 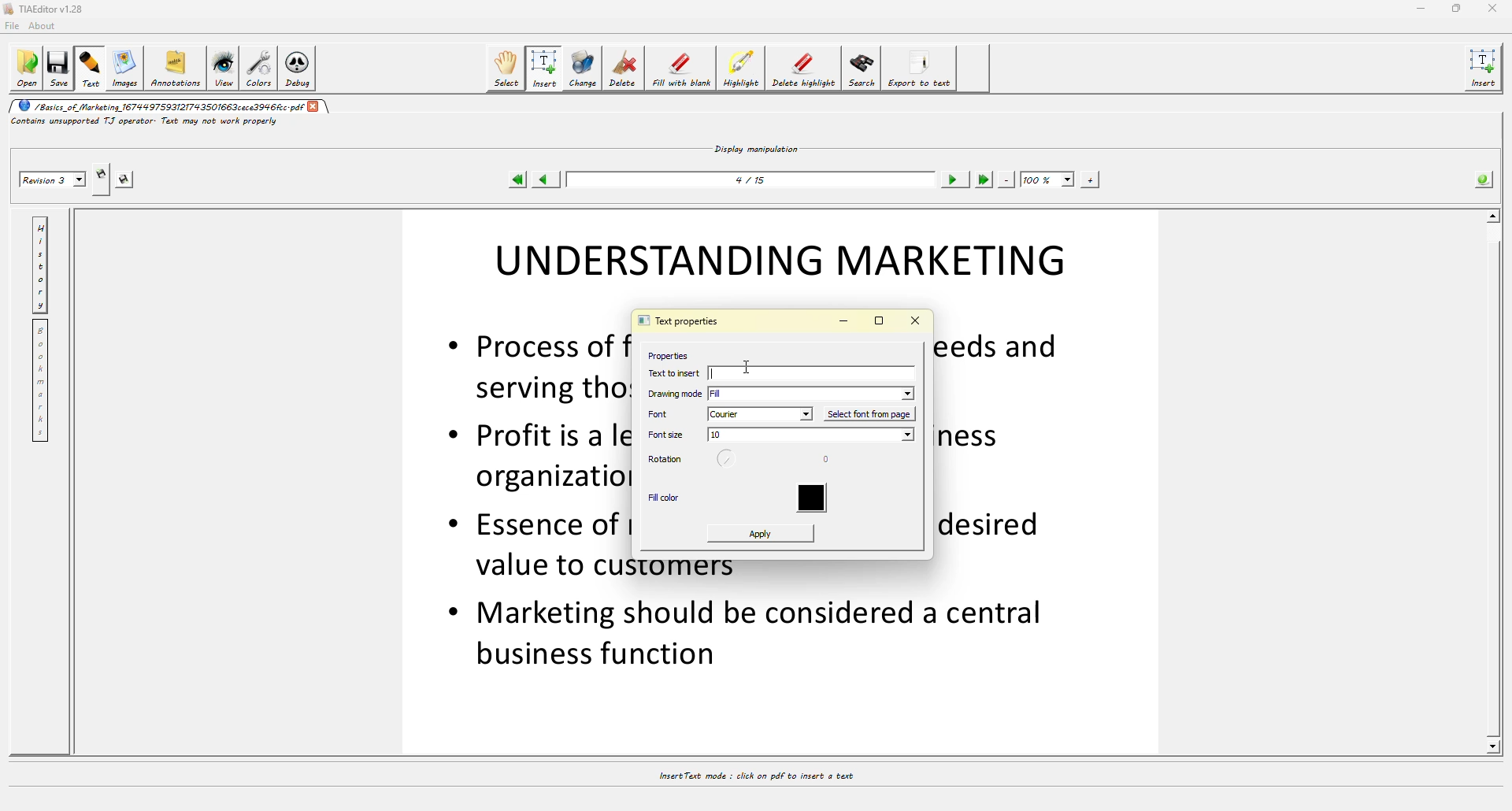 What do you see at coordinates (507, 67) in the screenshot?
I see `select` at bounding box center [507, 67].